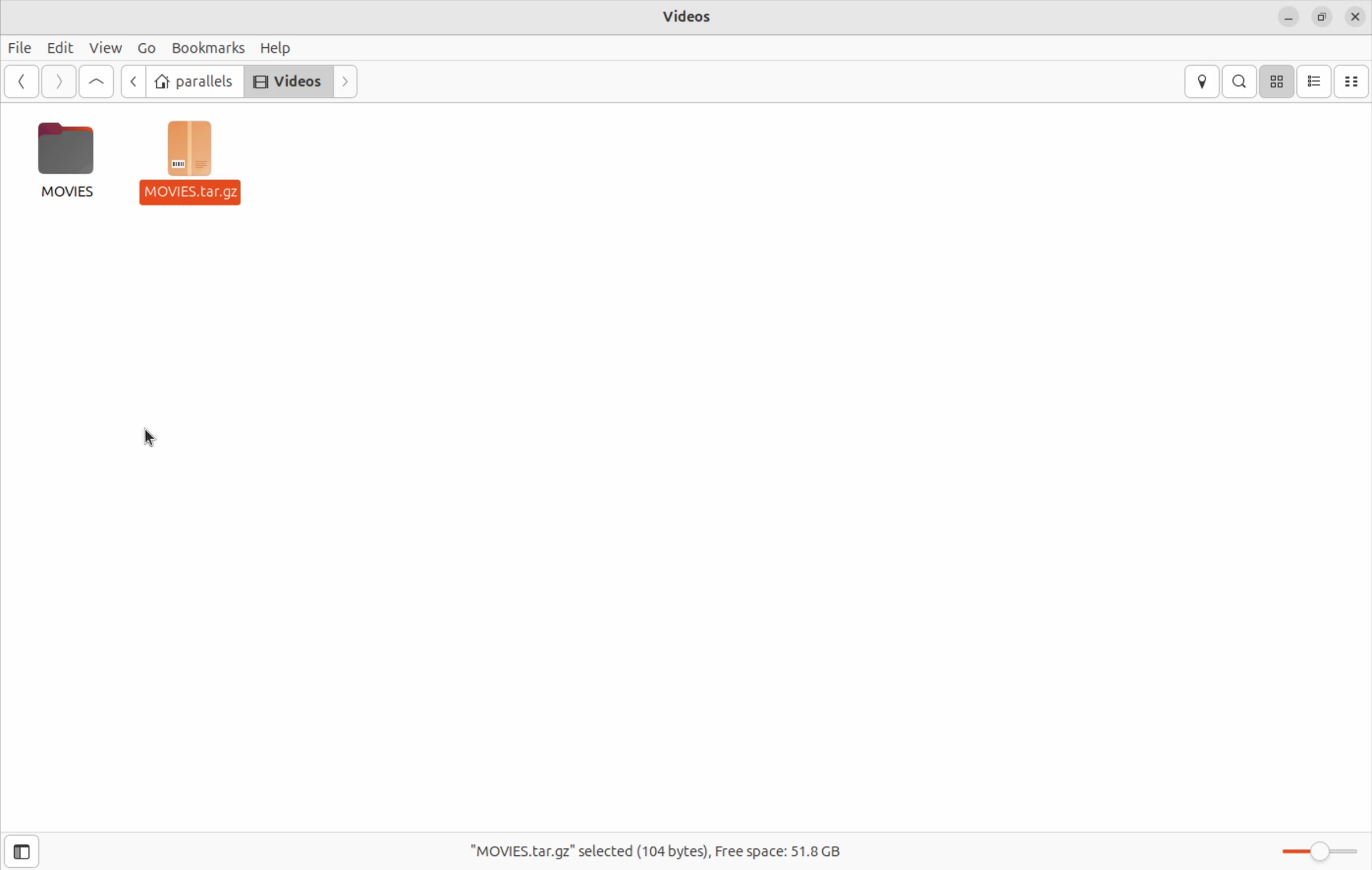 This screenshot has width=1372, height=870. I want to click on Go next, so click(58, 81).